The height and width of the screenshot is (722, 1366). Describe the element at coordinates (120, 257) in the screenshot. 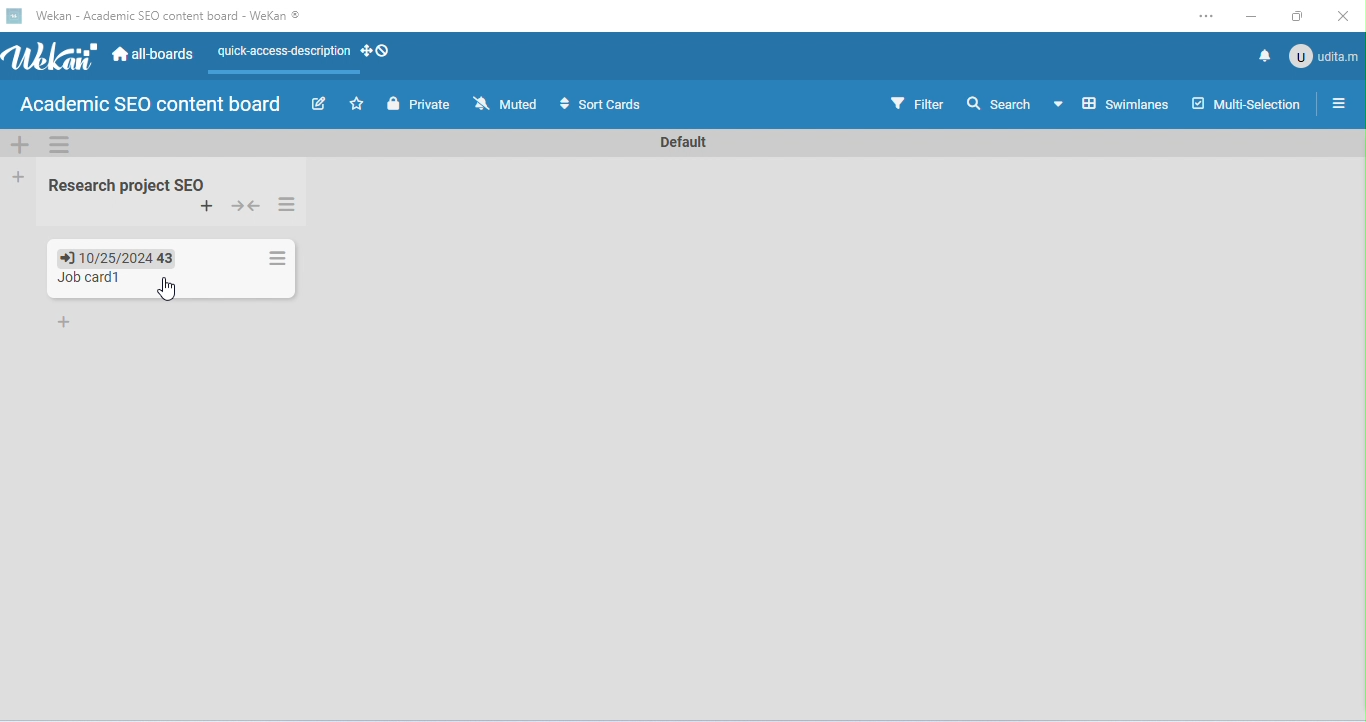

I see `due date of card` at that location.